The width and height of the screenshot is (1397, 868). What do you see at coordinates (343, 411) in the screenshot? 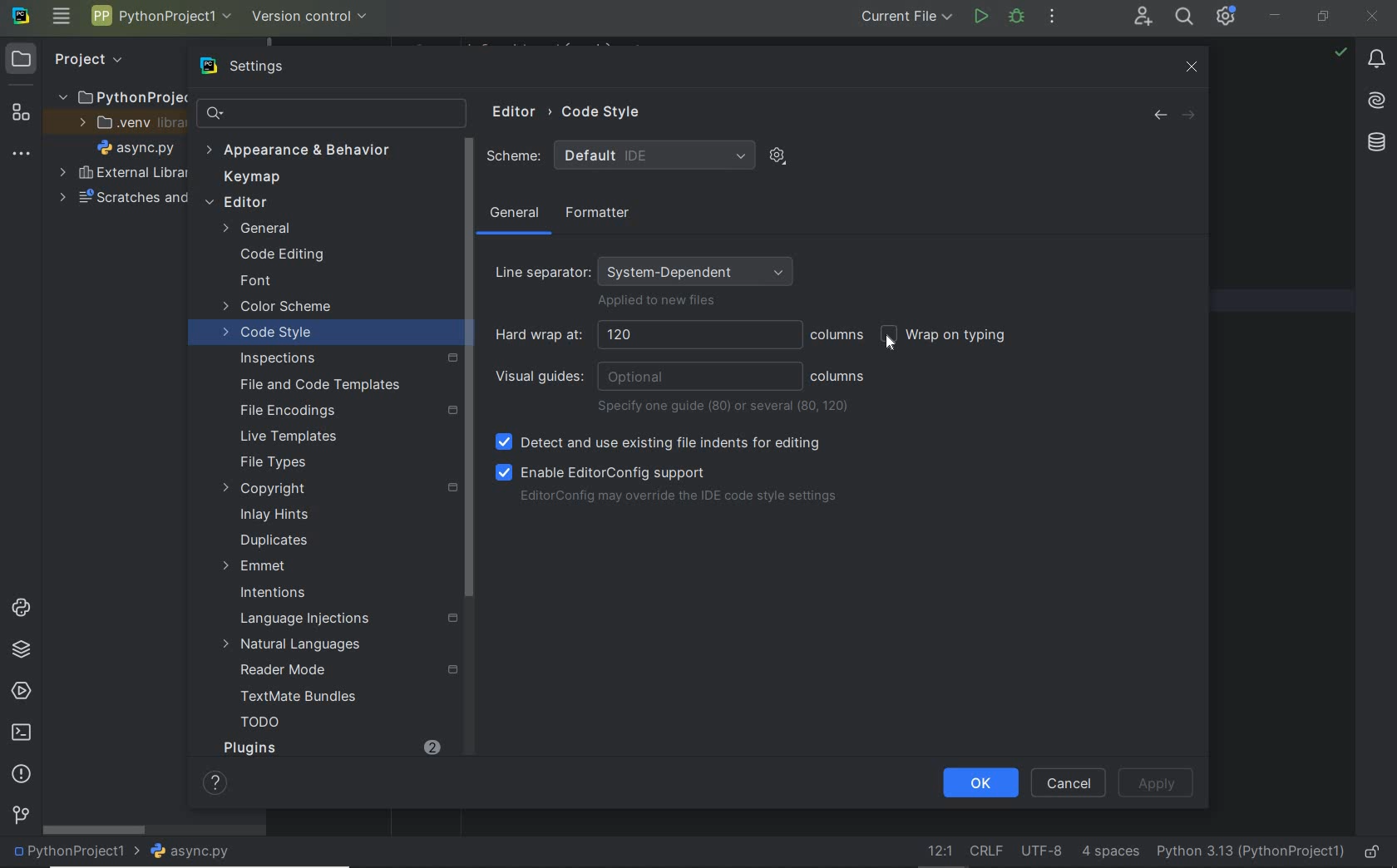
I see `File Encodings` at bounding box center [343, 411].